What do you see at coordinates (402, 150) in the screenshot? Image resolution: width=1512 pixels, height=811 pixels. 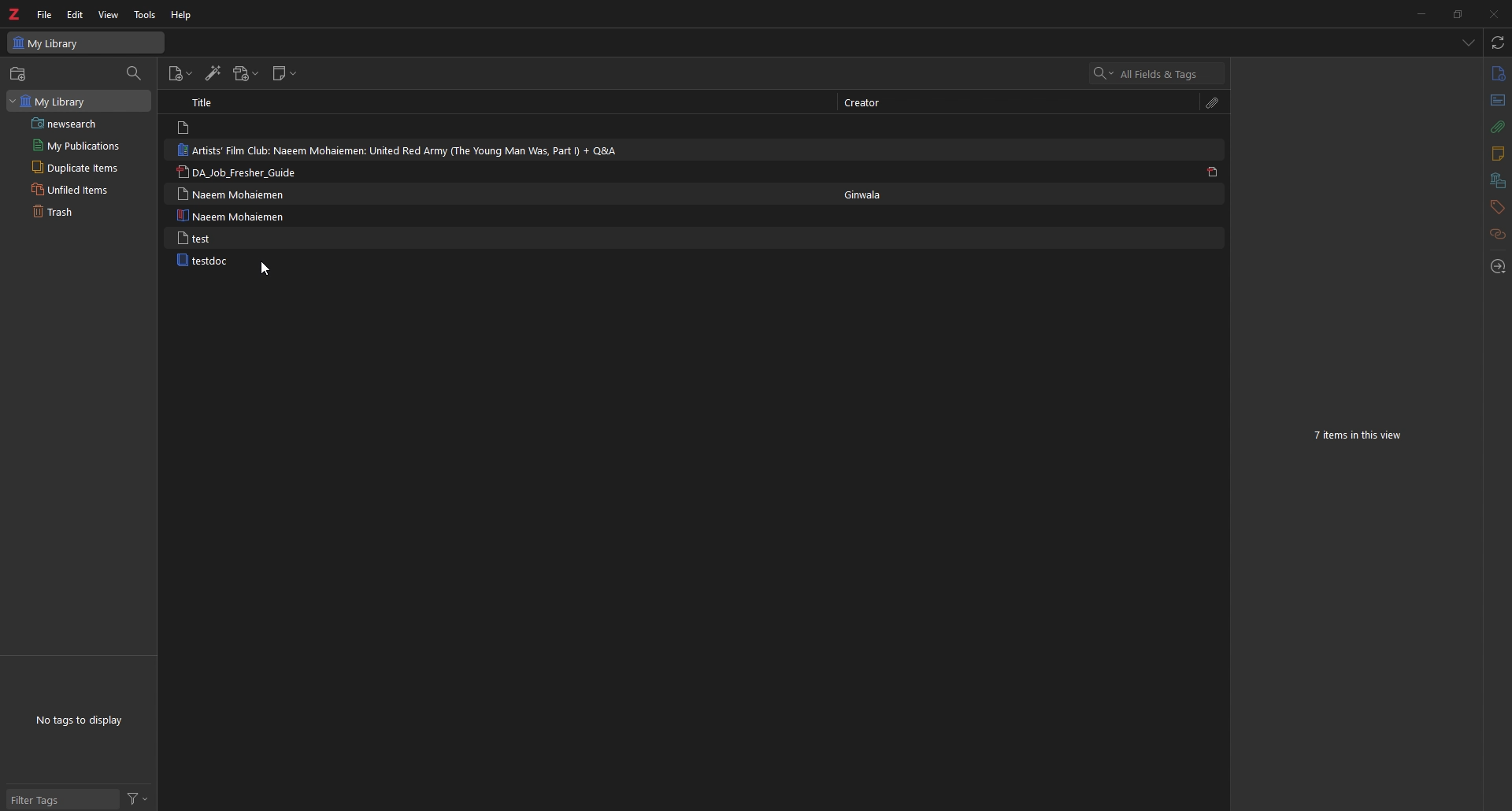 I see `Artists’ Film Club: Naeem Mohaiemen: United Red Army` at bounding box center [402, 150].